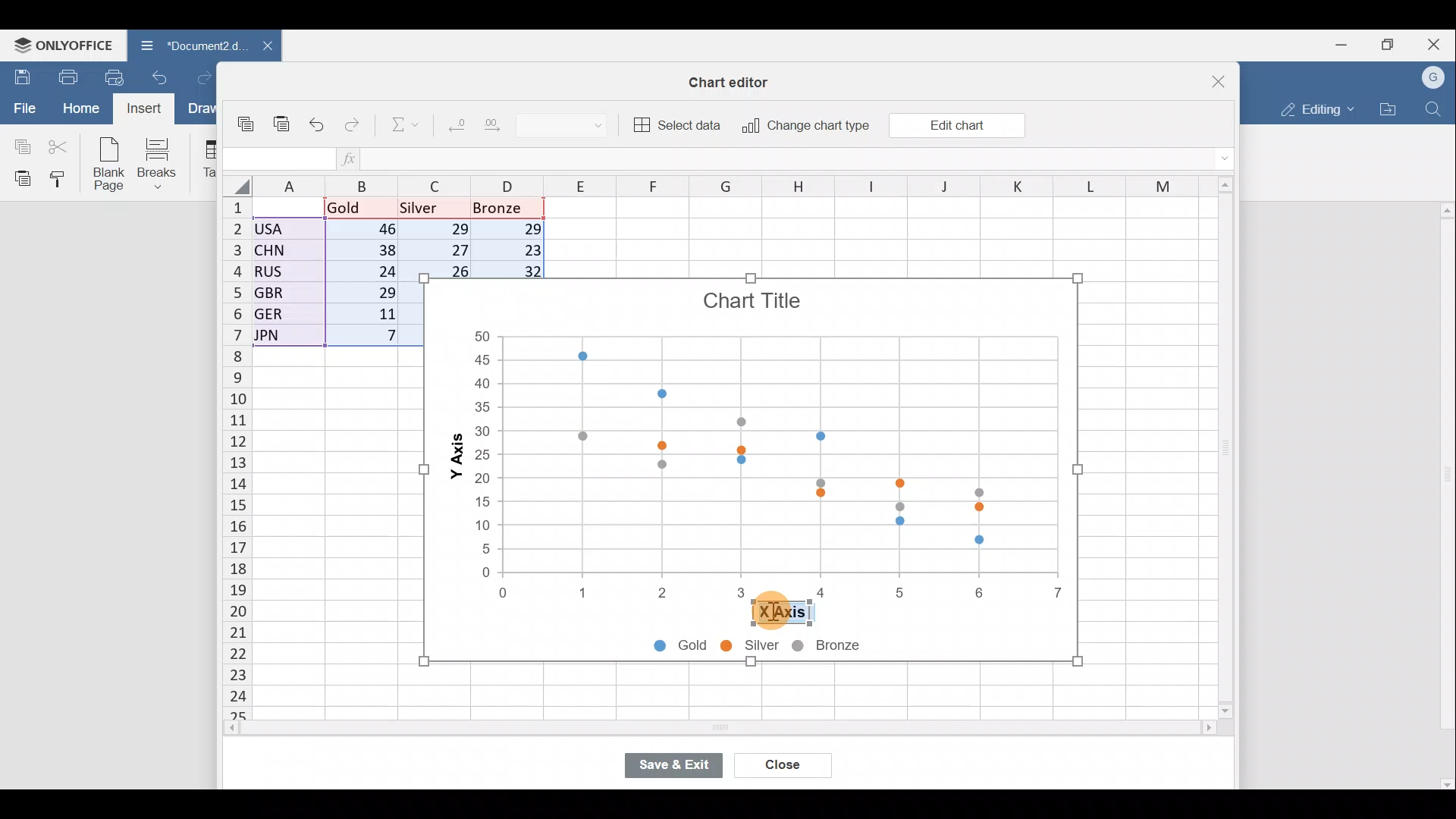 This screenshot has width=1456, height=819. Describe the element at coordinates (1434, 109) in the screenshot. I see `Find` at that location.